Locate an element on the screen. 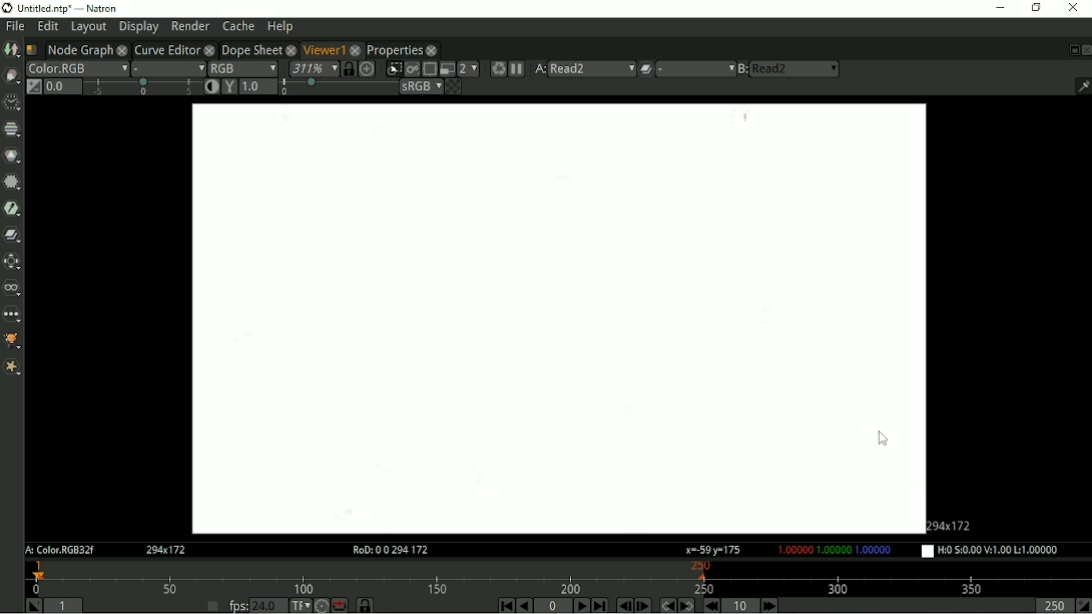 The image size is (1092, 614). Layout is located at coordinates (88, 27).